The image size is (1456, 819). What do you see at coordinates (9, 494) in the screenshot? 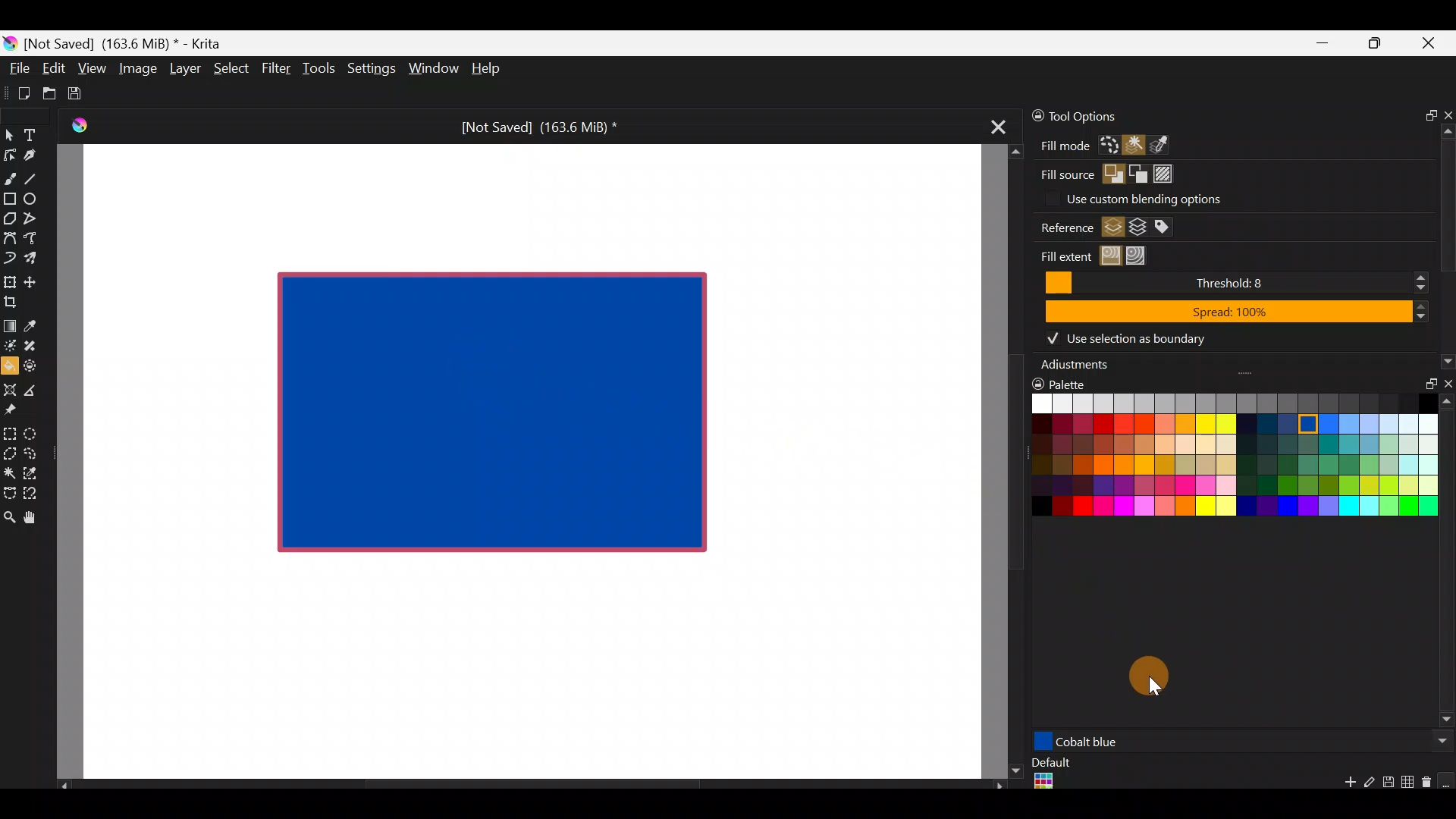
I see `Bezier curve selection tool` at bounding box center [9, 494].